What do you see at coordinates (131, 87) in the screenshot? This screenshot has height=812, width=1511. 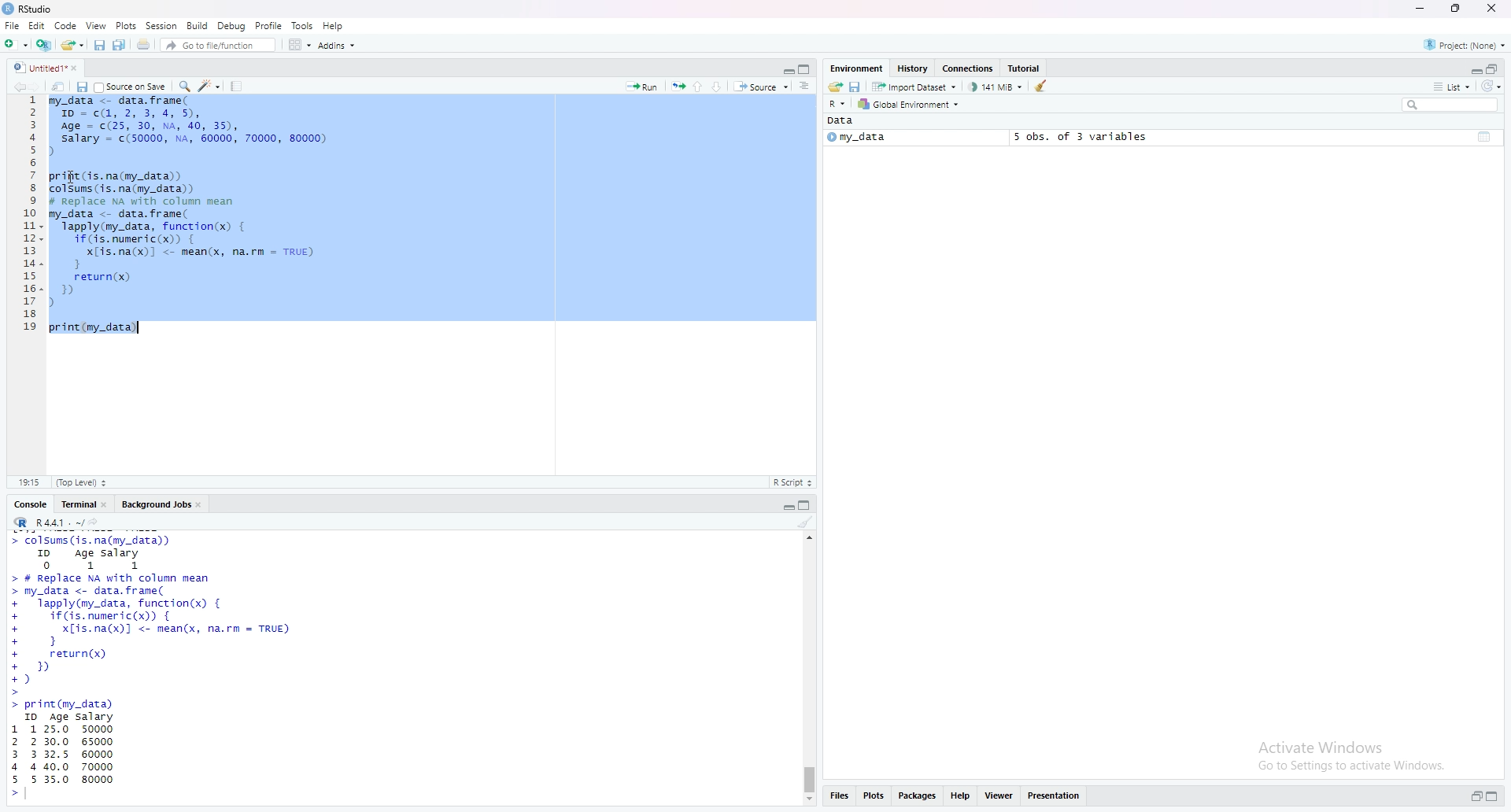 I see `source on save` at bounding box center [131, 87].